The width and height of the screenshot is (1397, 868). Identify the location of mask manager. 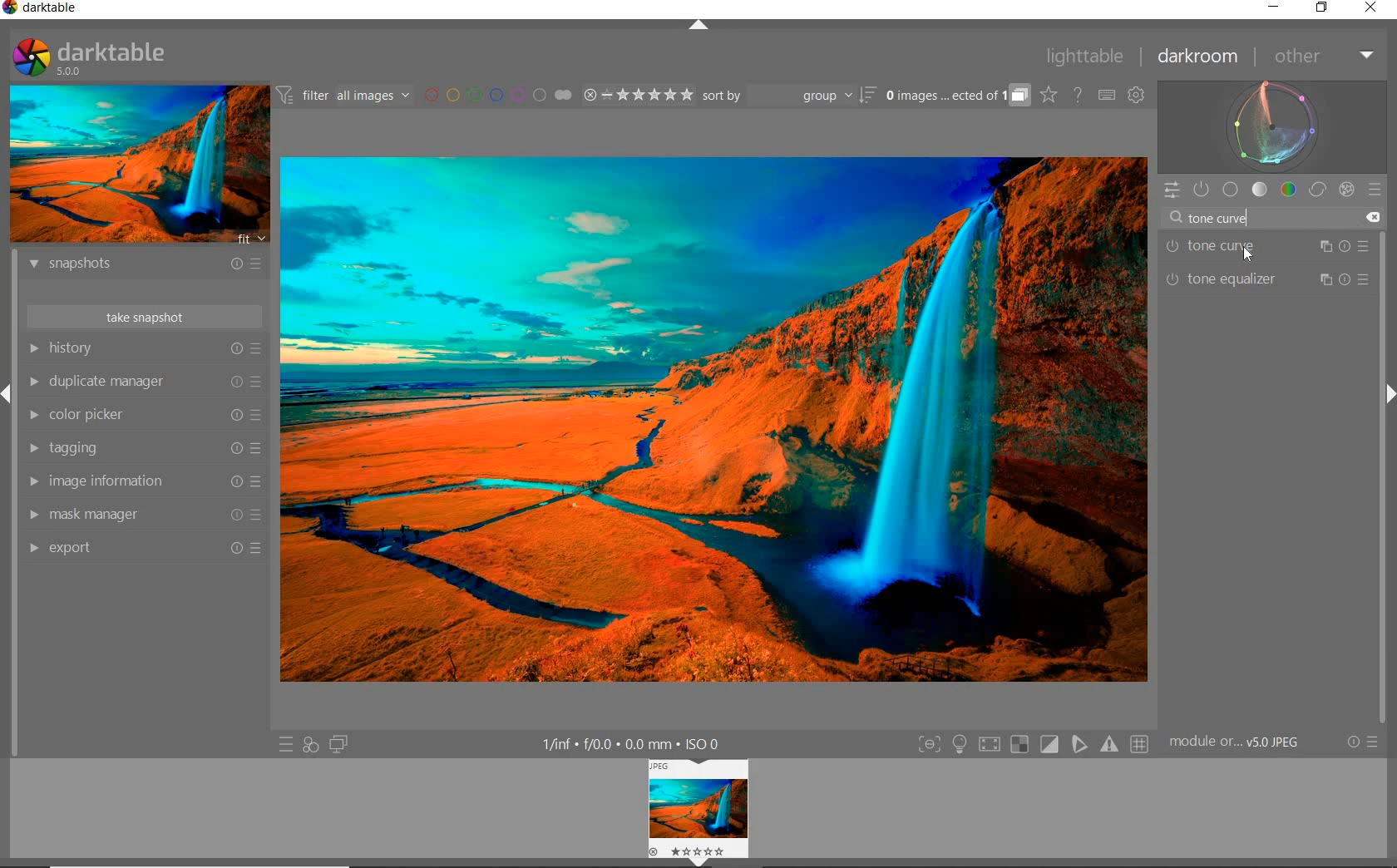
(146, 515).